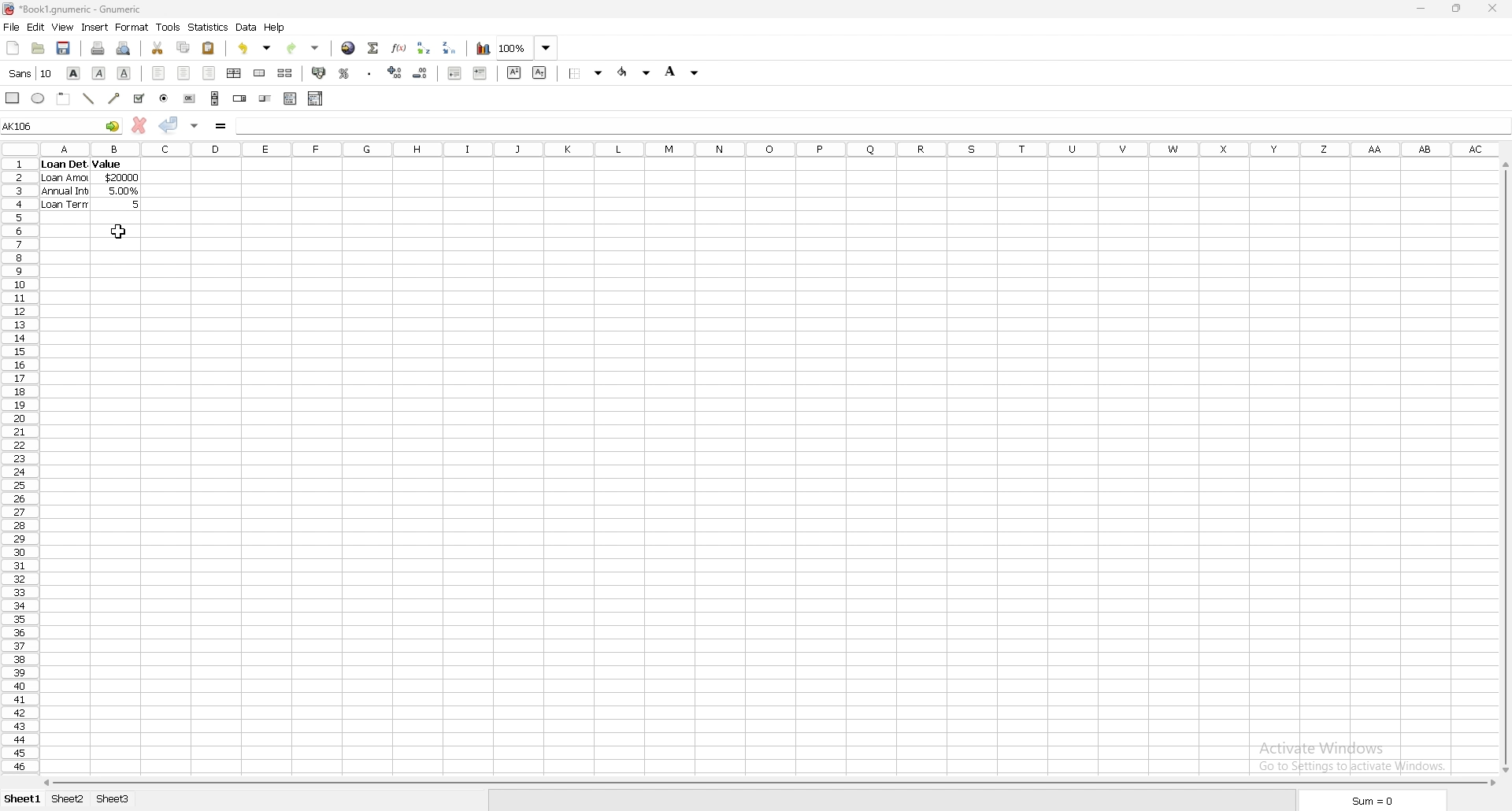  What do you see at coordinates (424, 48) in the screenshot?
I see `sort ascending` at bounding box center [424, 48].